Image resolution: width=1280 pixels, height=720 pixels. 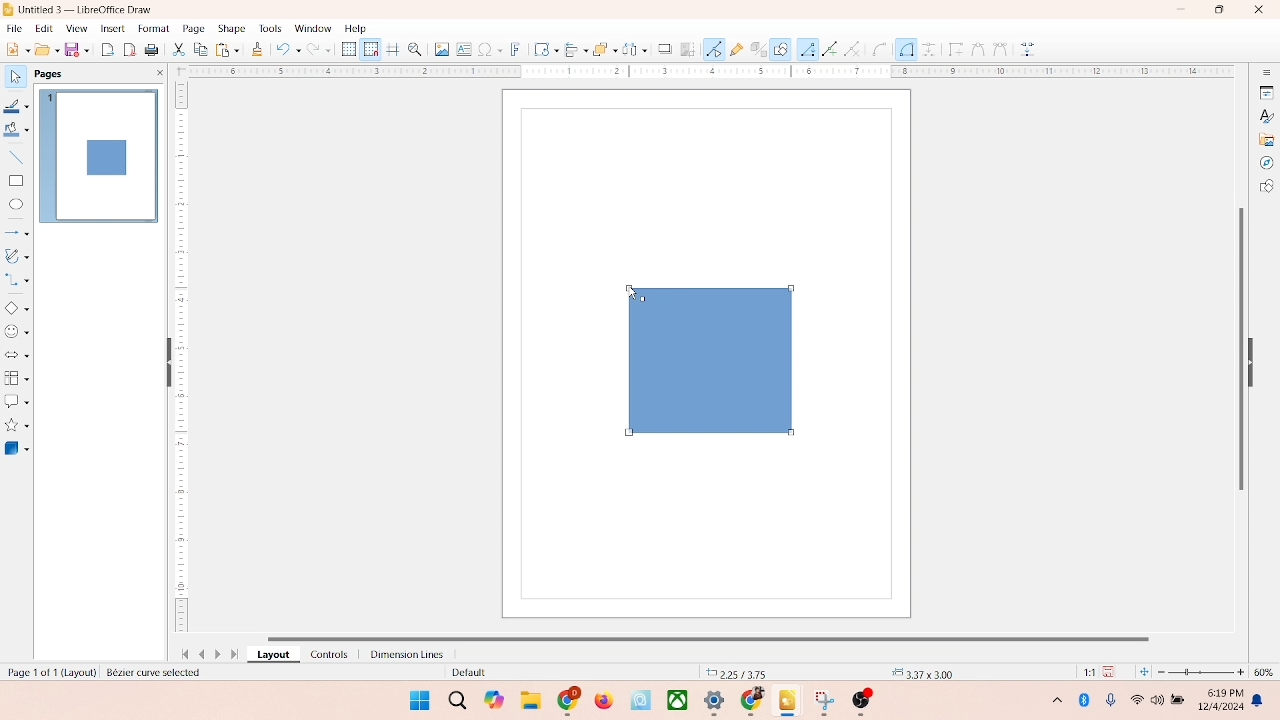 What do you see at coordinates (323, 51) in the screenshot?
I see `redo` at bounding box center [323, 51].